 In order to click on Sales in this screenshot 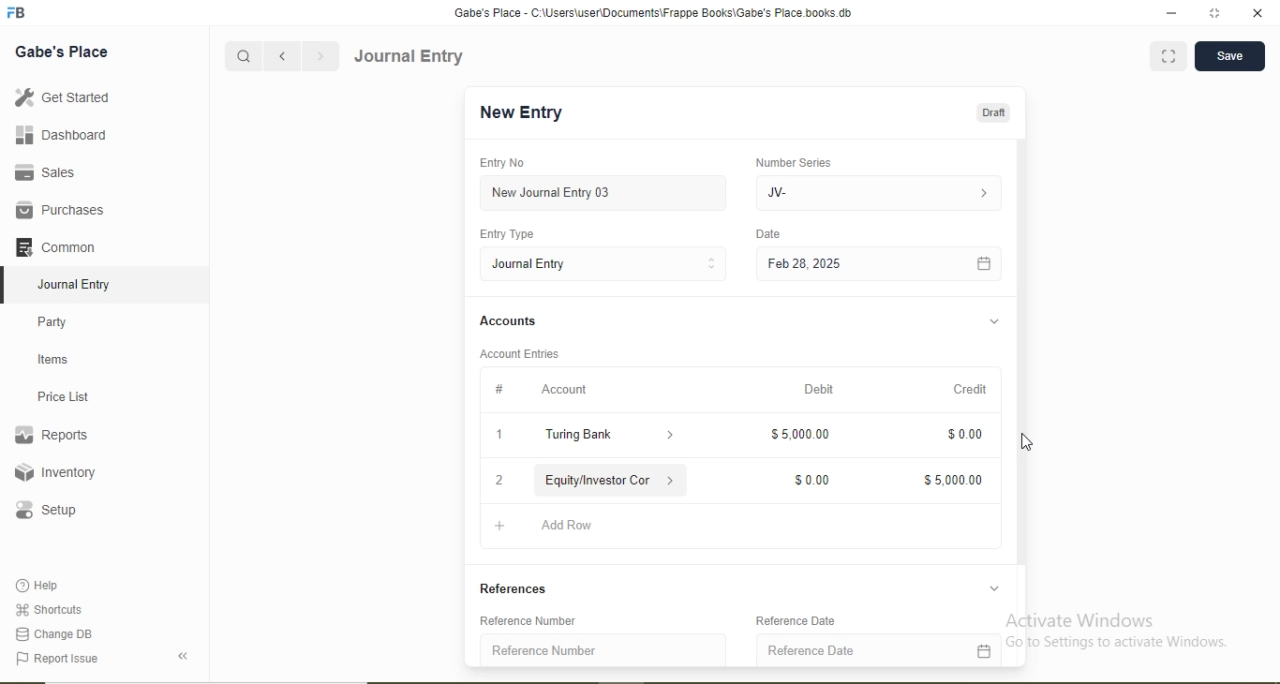, I will do `click(42, 172)`.